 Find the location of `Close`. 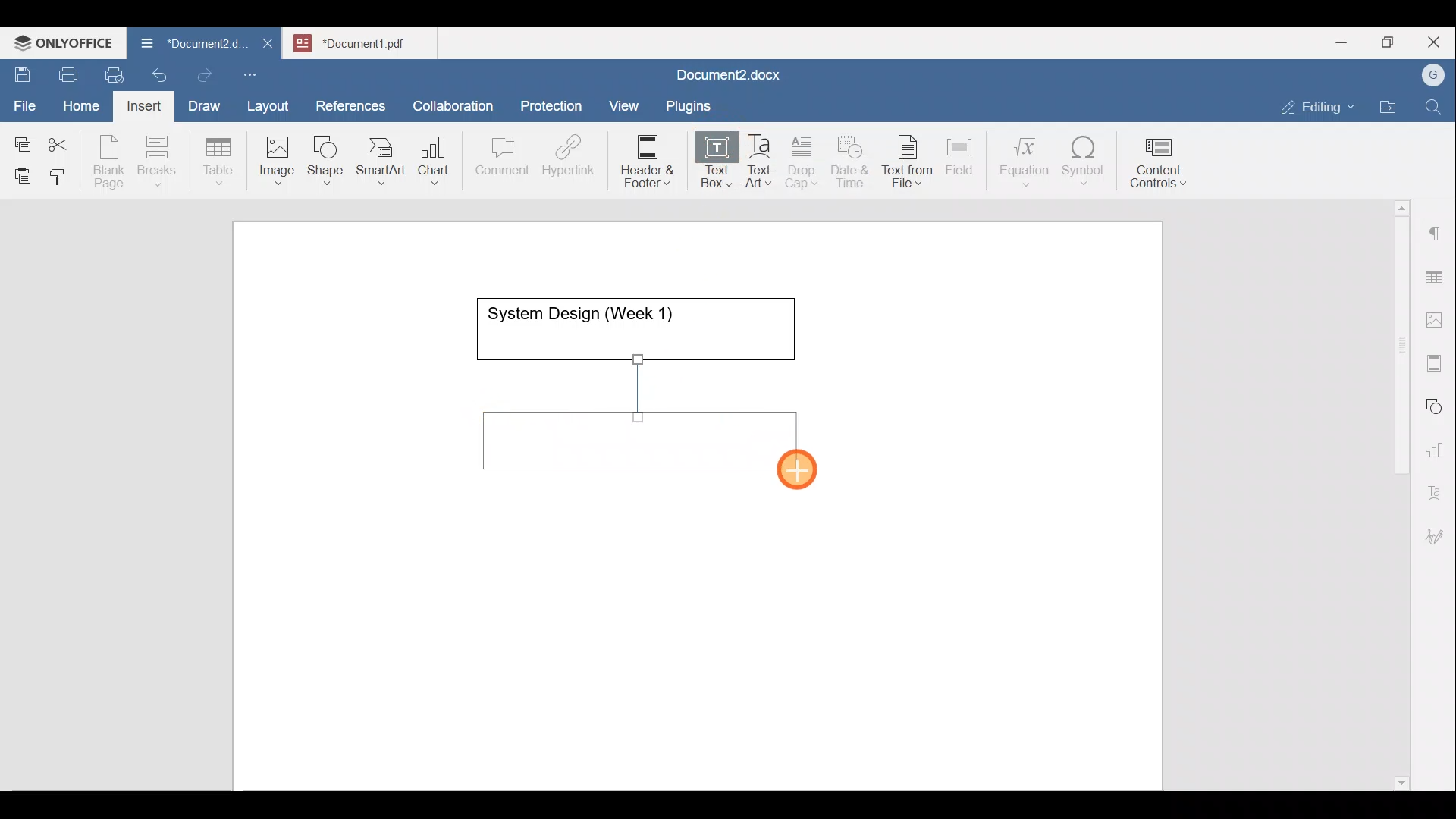

Close is located at coordinates (1436, 43).